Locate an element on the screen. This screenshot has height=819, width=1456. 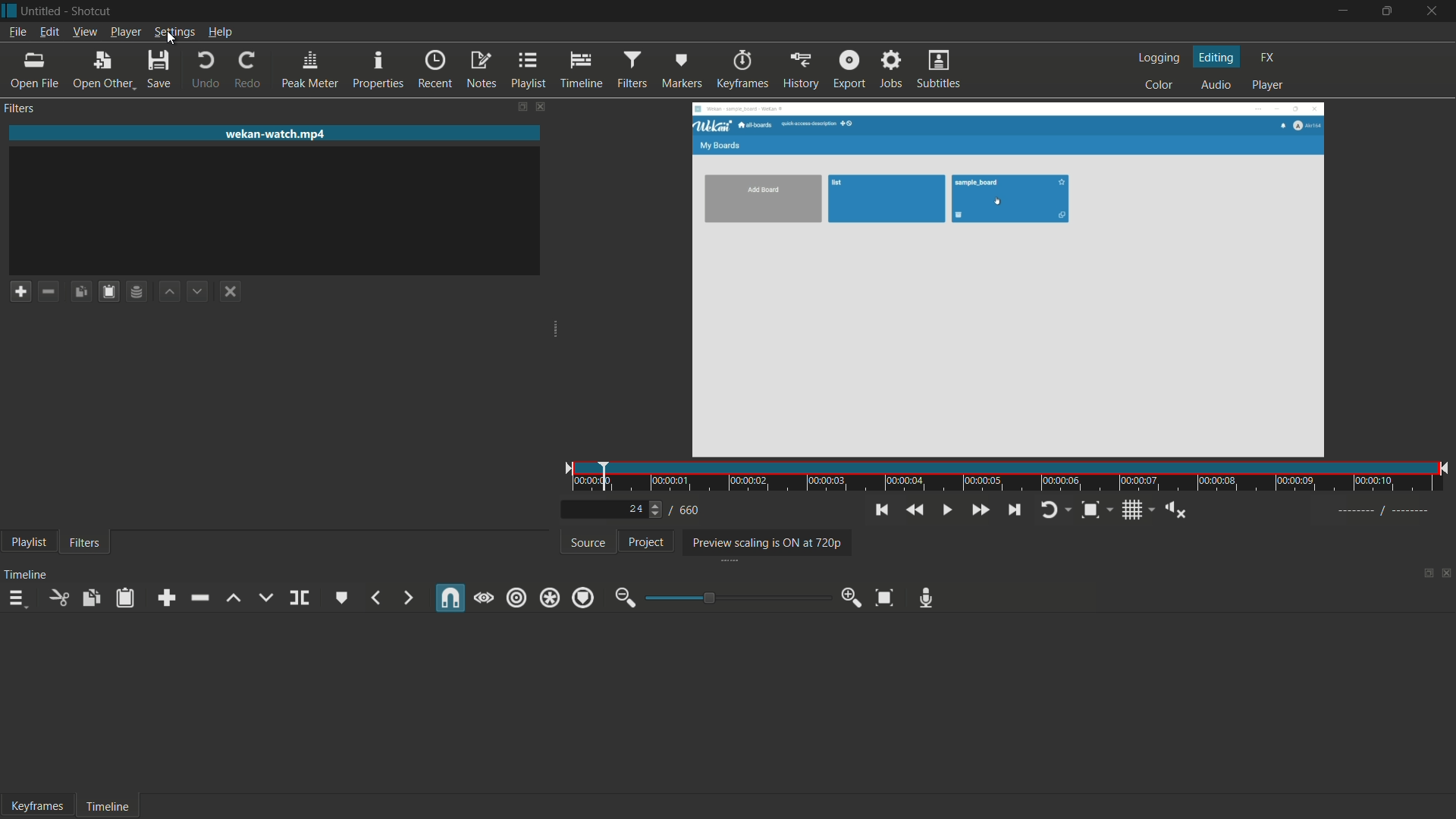
edit menu is located at coordinates (51, 32).